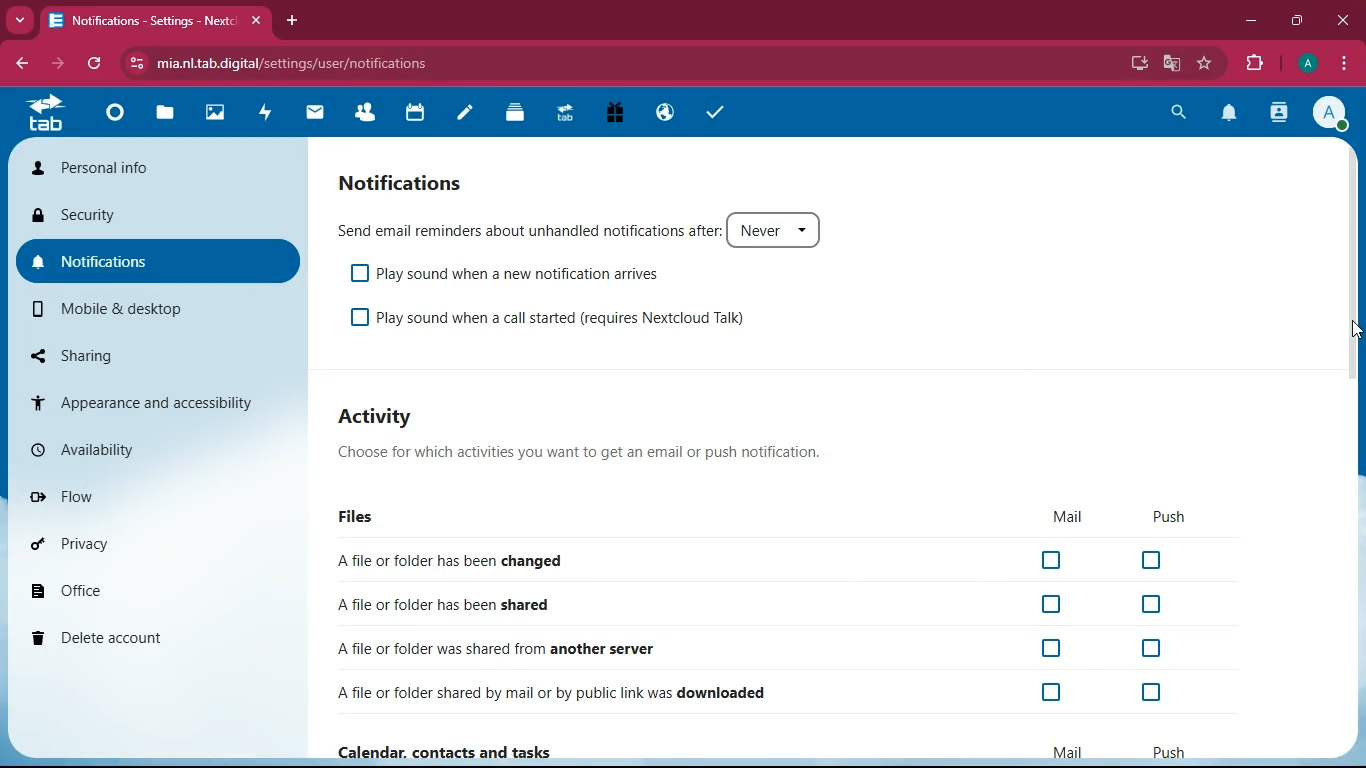  What do you see at coordinates (616, 115) in the screenshot?
I see `gift` at bounding box center [616, 115].